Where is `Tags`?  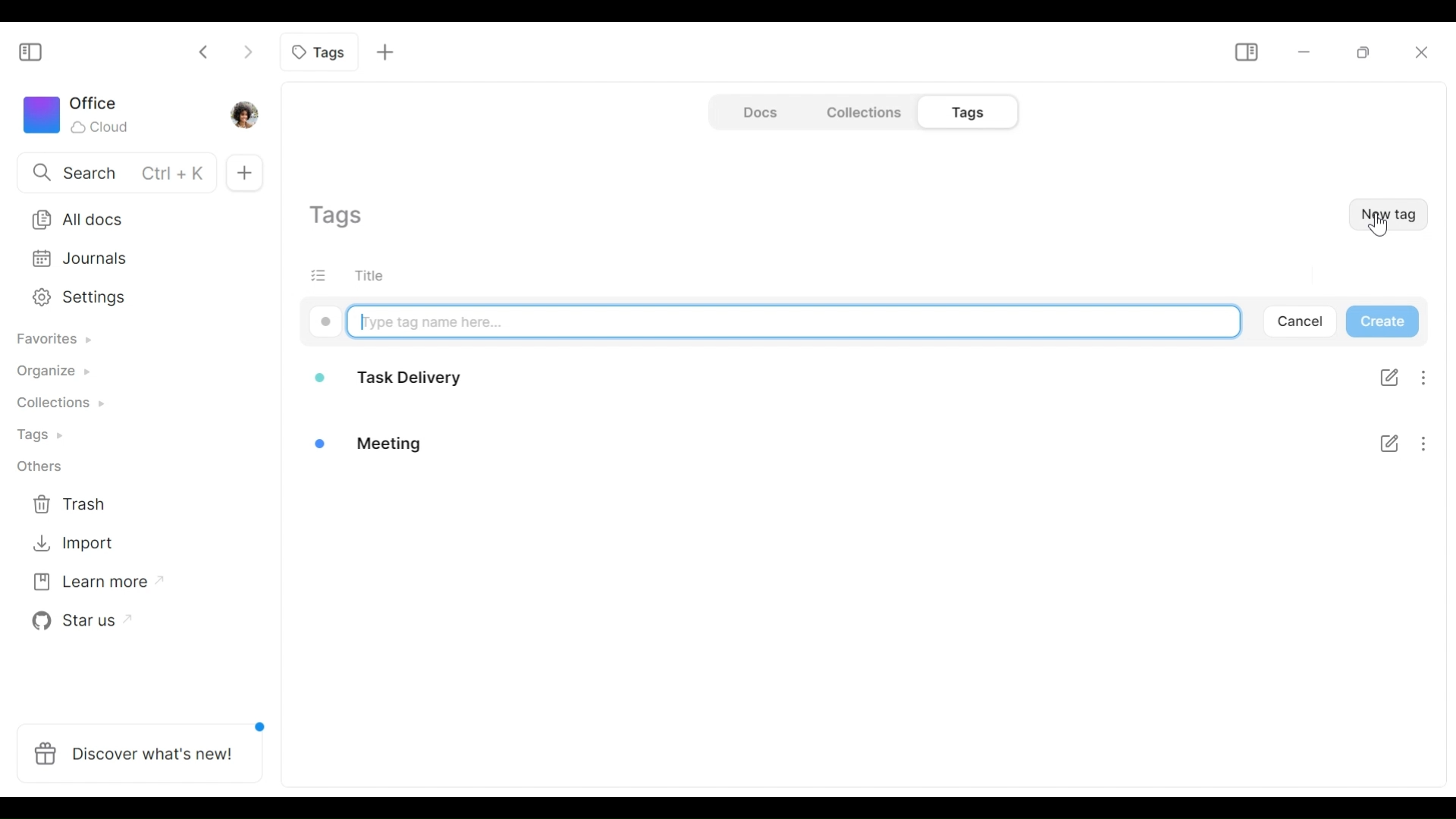 Tags is located at coordinates (962, 113).